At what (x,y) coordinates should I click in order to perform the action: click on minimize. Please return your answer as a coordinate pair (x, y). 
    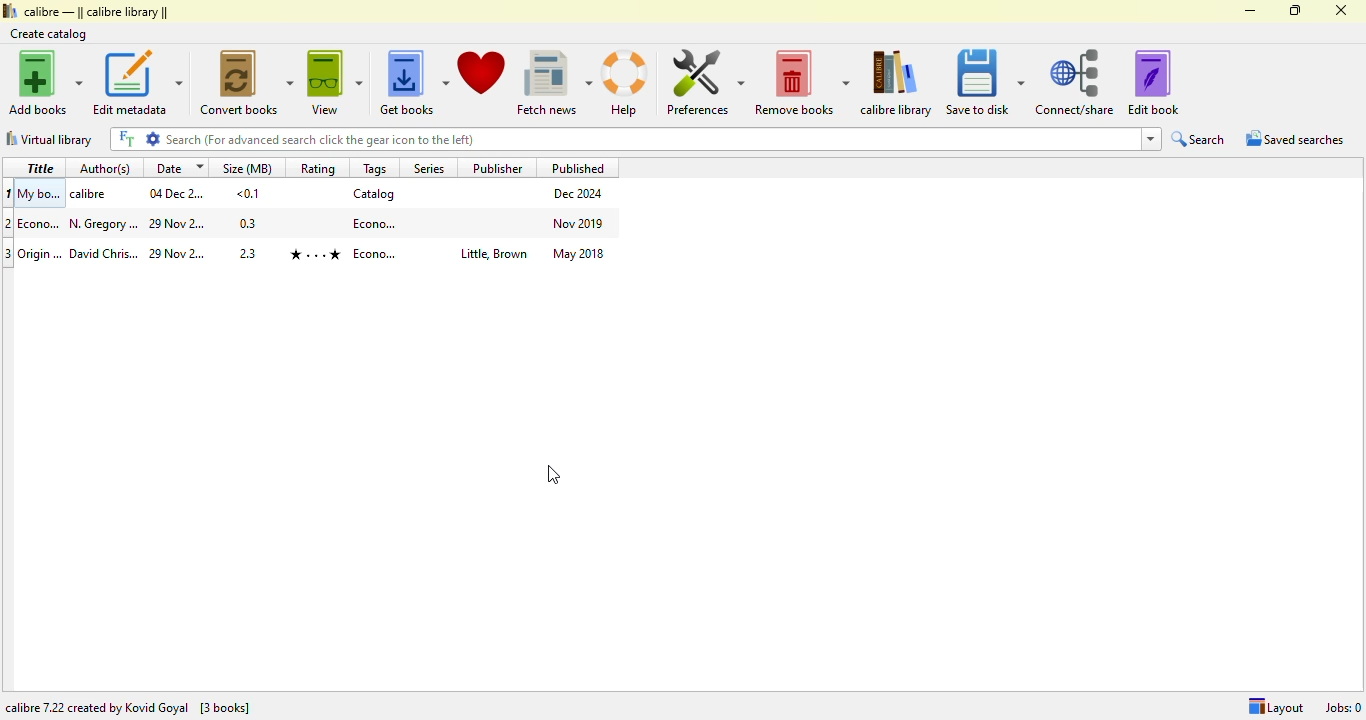
    Looking at the image, I should click on (1250, 11).